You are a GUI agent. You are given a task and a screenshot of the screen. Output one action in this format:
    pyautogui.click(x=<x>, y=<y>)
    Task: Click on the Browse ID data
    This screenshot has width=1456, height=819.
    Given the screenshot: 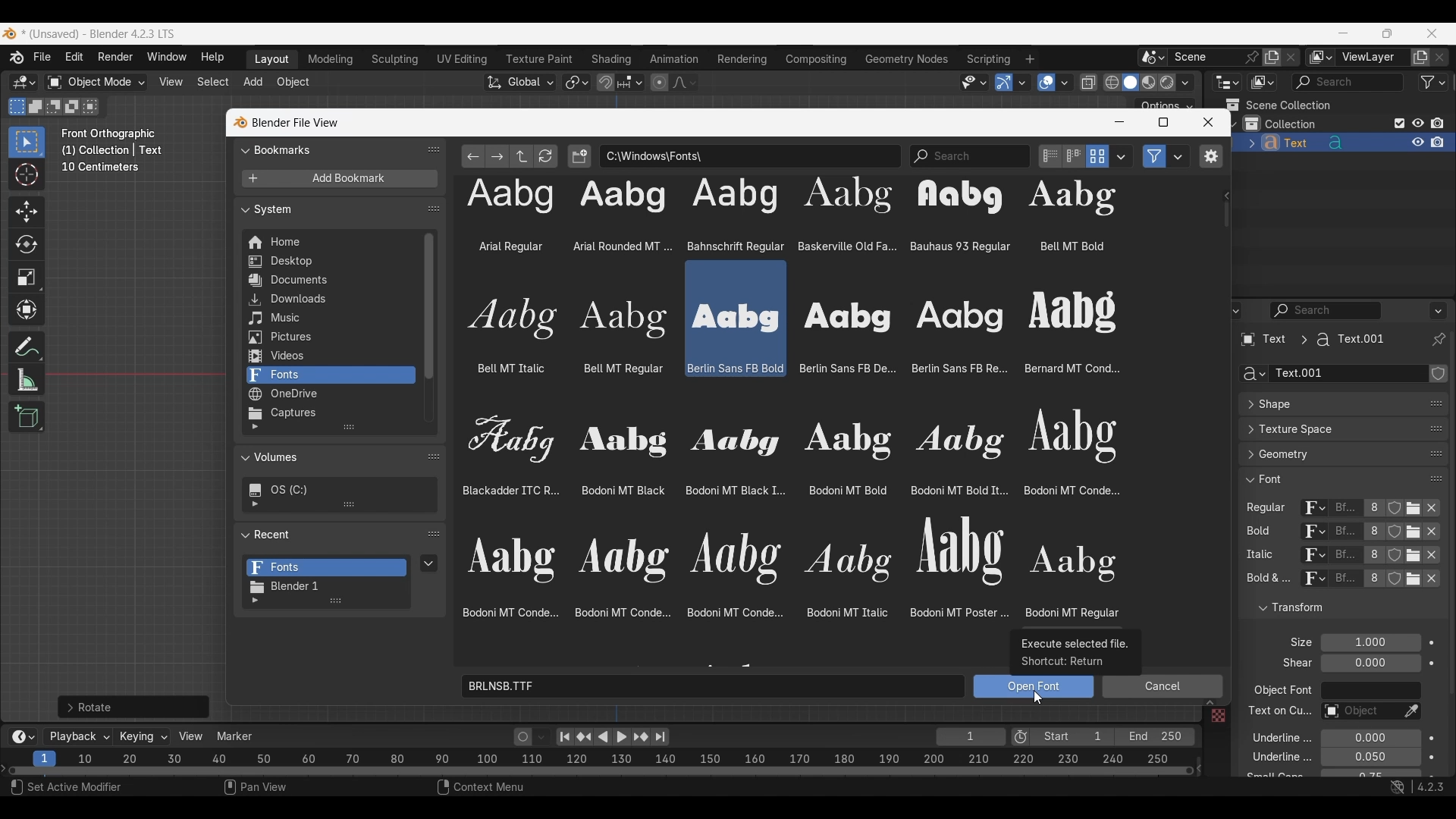 What is the action you would take?
    pyautogui.click(x=1311, y=582)
    